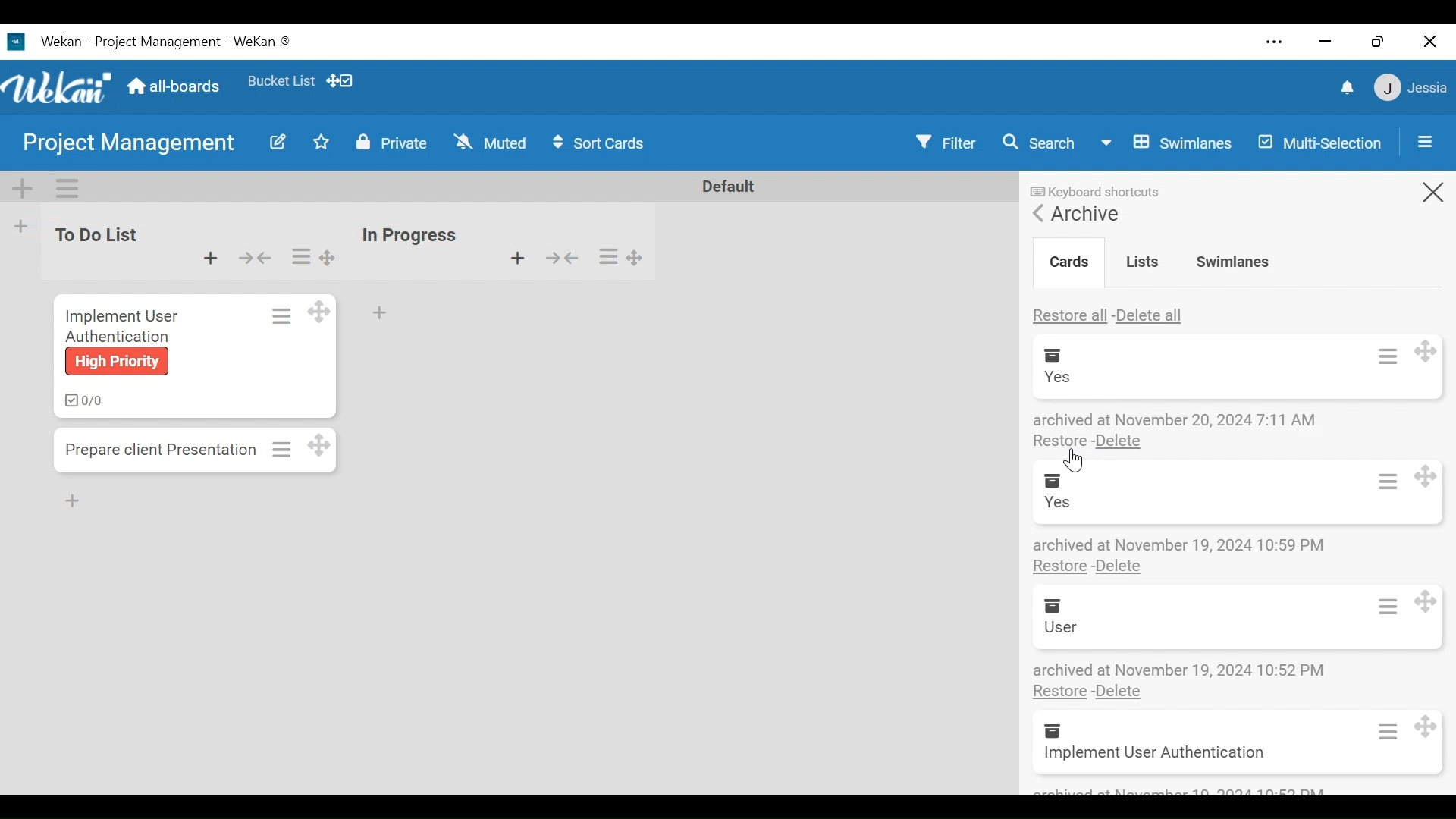  Describe the element at coordinates (279, 78) in the screenshot. I see `favorites` at that location.